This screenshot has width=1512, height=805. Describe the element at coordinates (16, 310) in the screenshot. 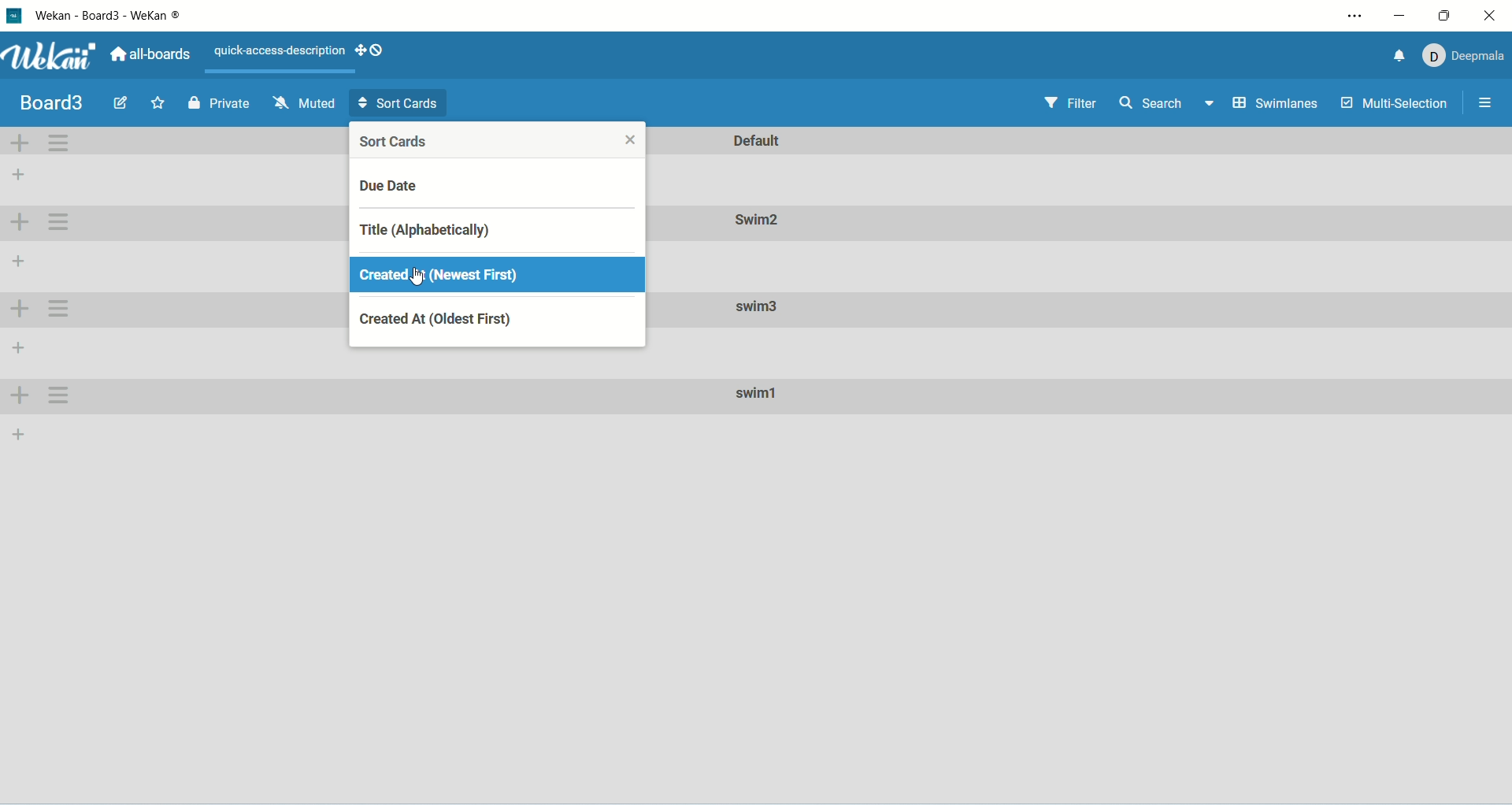

I see `add swinlane` at that location.